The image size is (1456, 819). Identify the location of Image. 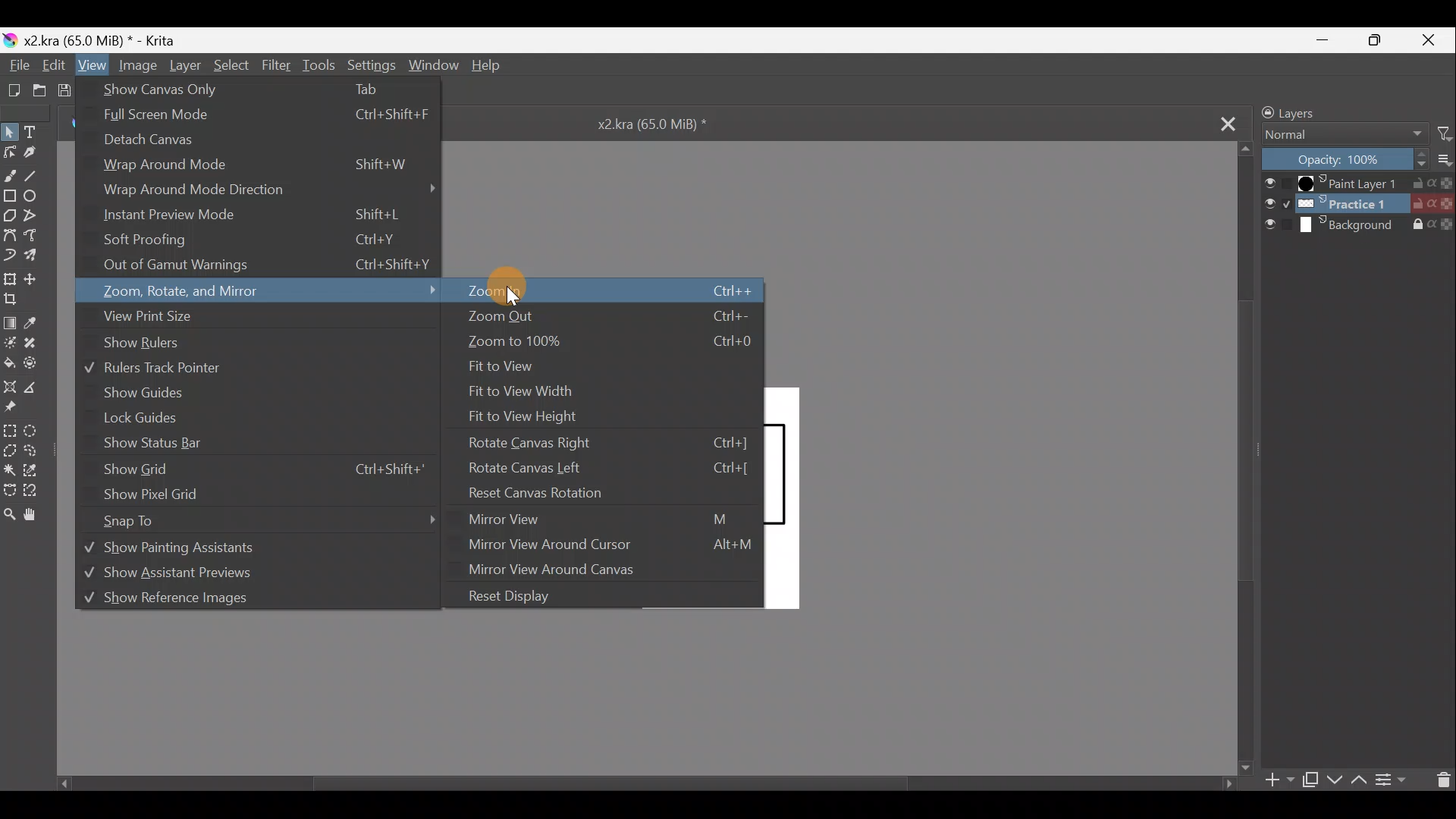
(135, 64).